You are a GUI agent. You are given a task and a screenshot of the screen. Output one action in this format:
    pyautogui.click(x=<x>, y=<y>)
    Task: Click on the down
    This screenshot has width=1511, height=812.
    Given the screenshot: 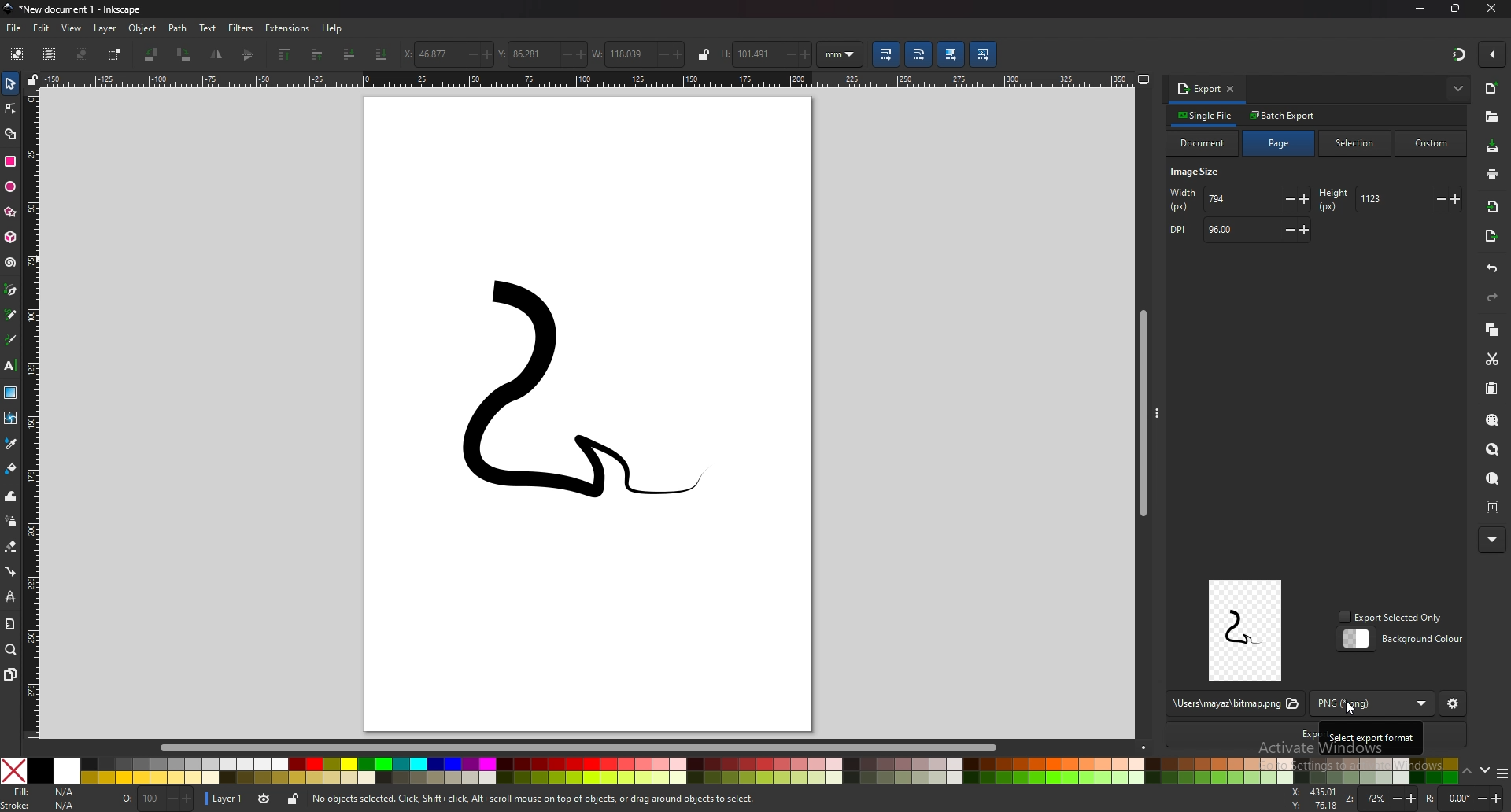 What is the action you would take?
    pyautogui.click(x=1484, y=770)
    